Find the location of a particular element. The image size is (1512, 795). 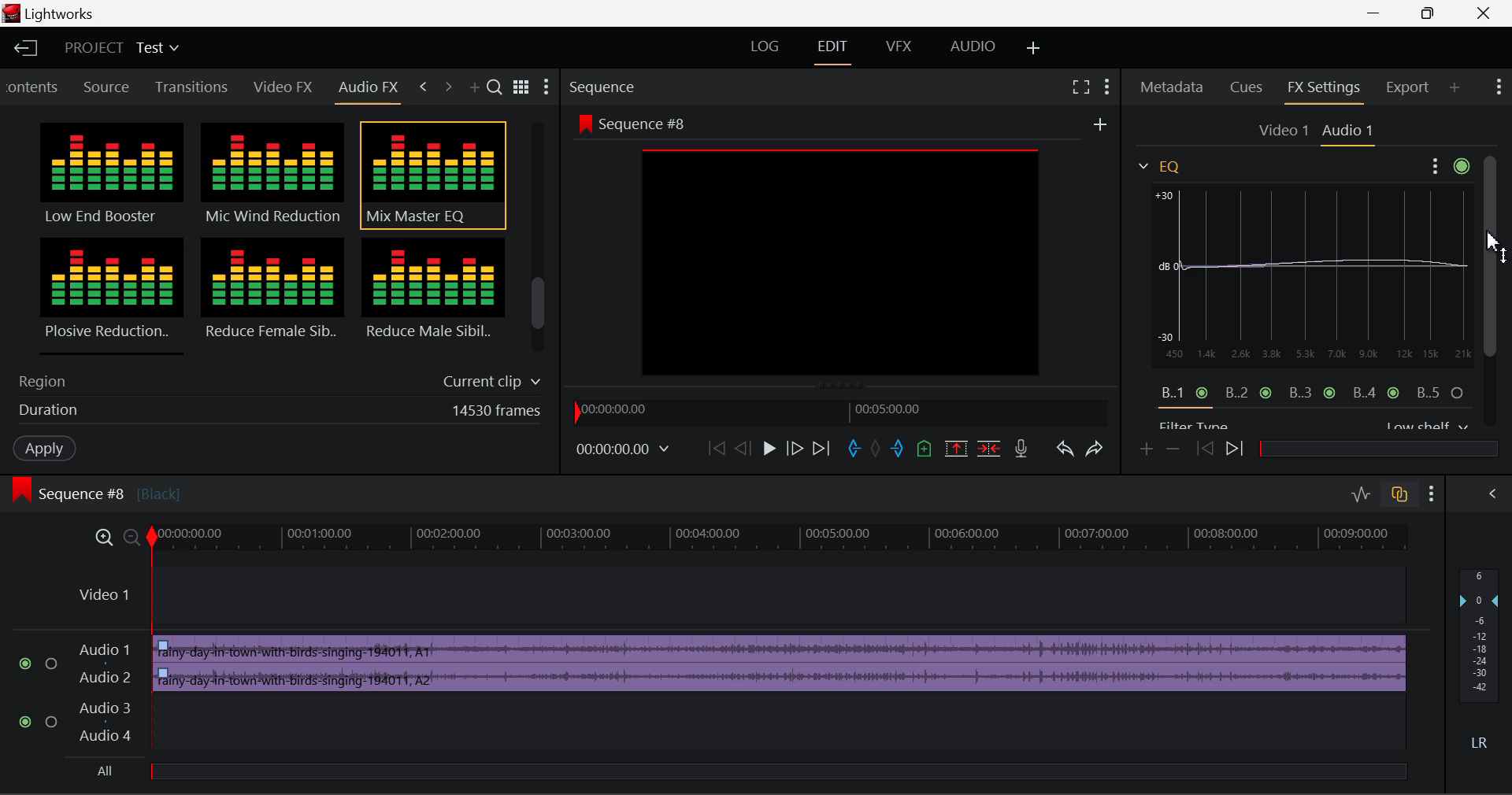

All is located at coordinates (113, 770).